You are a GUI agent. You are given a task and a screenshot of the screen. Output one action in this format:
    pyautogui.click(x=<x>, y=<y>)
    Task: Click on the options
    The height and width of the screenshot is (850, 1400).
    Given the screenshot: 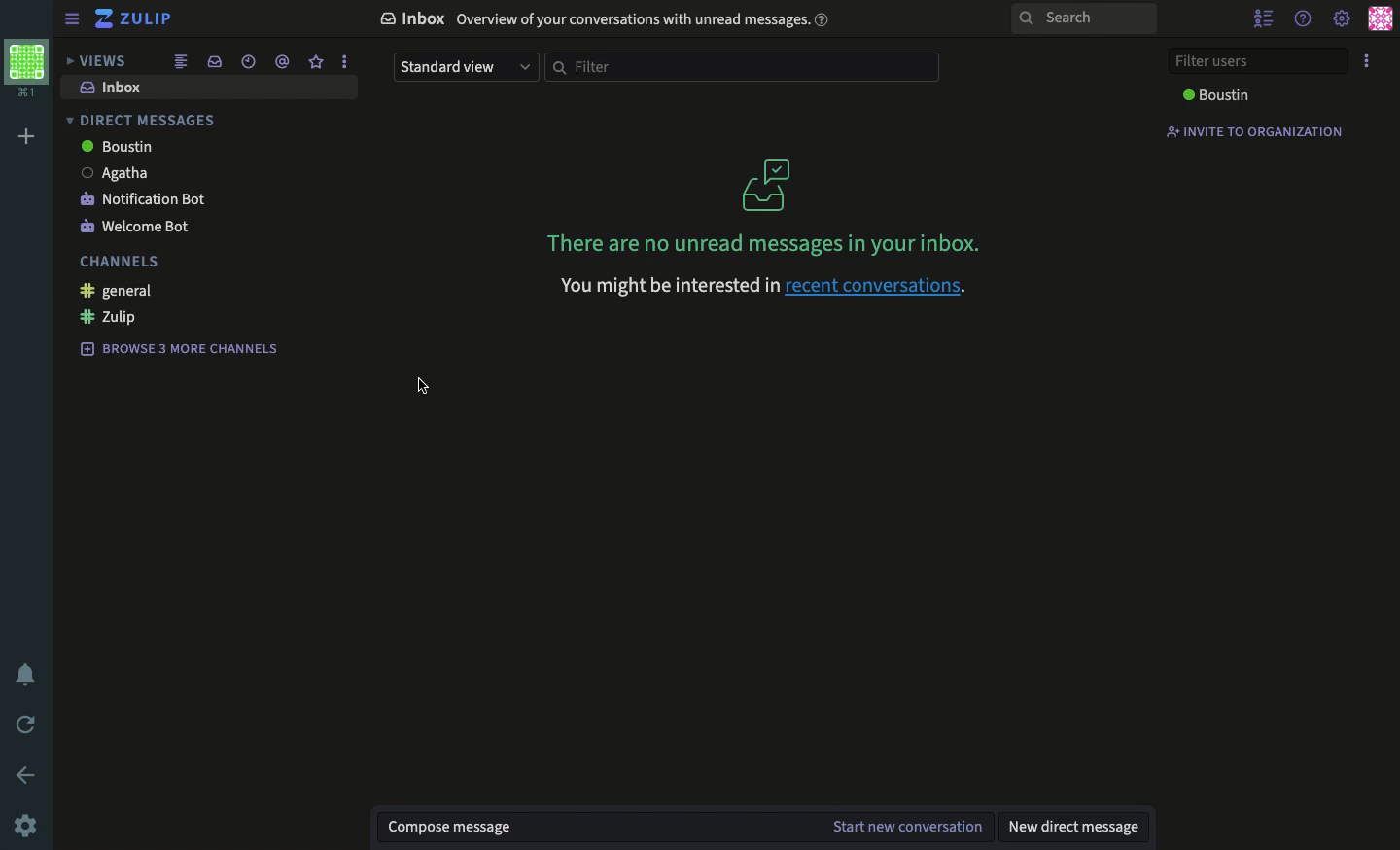 What is the action you would take?
    pyautogui.click(x=1369, y=61)
    